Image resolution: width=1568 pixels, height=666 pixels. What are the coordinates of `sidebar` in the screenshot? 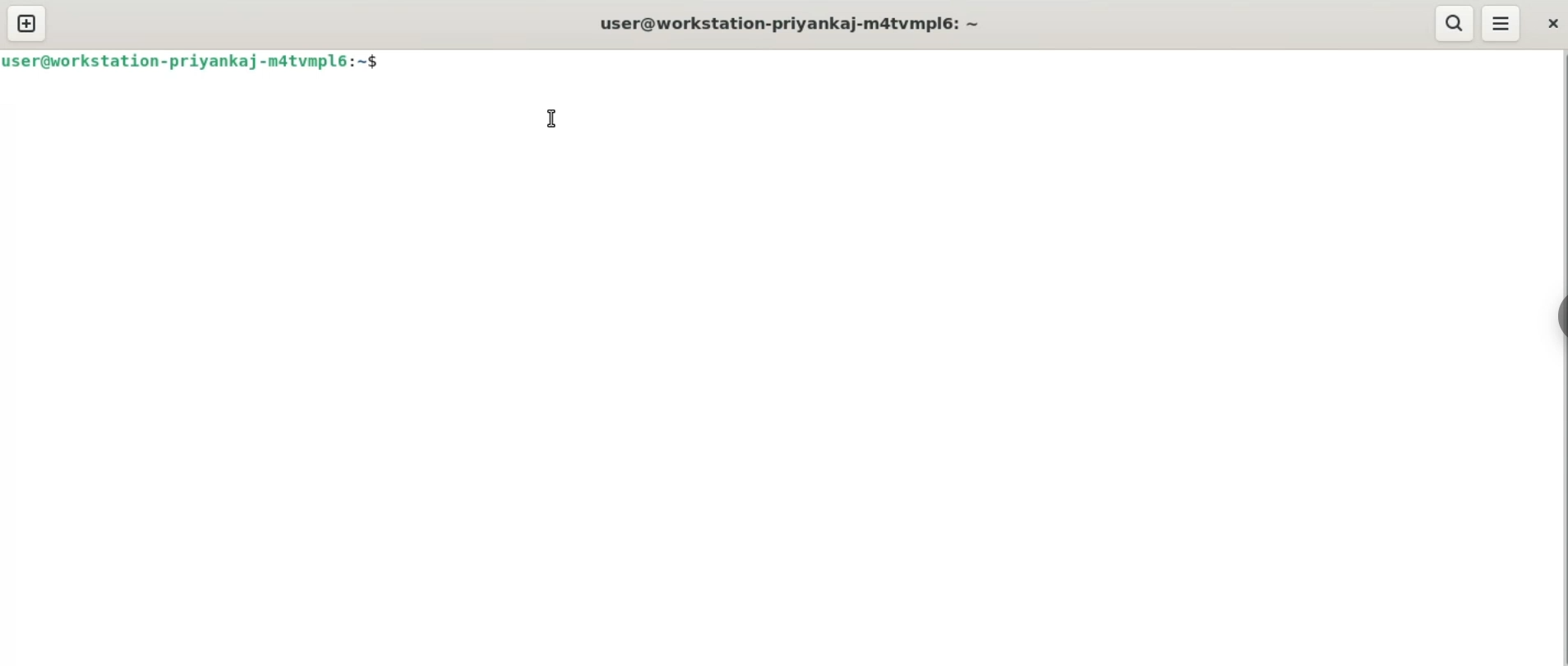 It's located at (1560, 317).